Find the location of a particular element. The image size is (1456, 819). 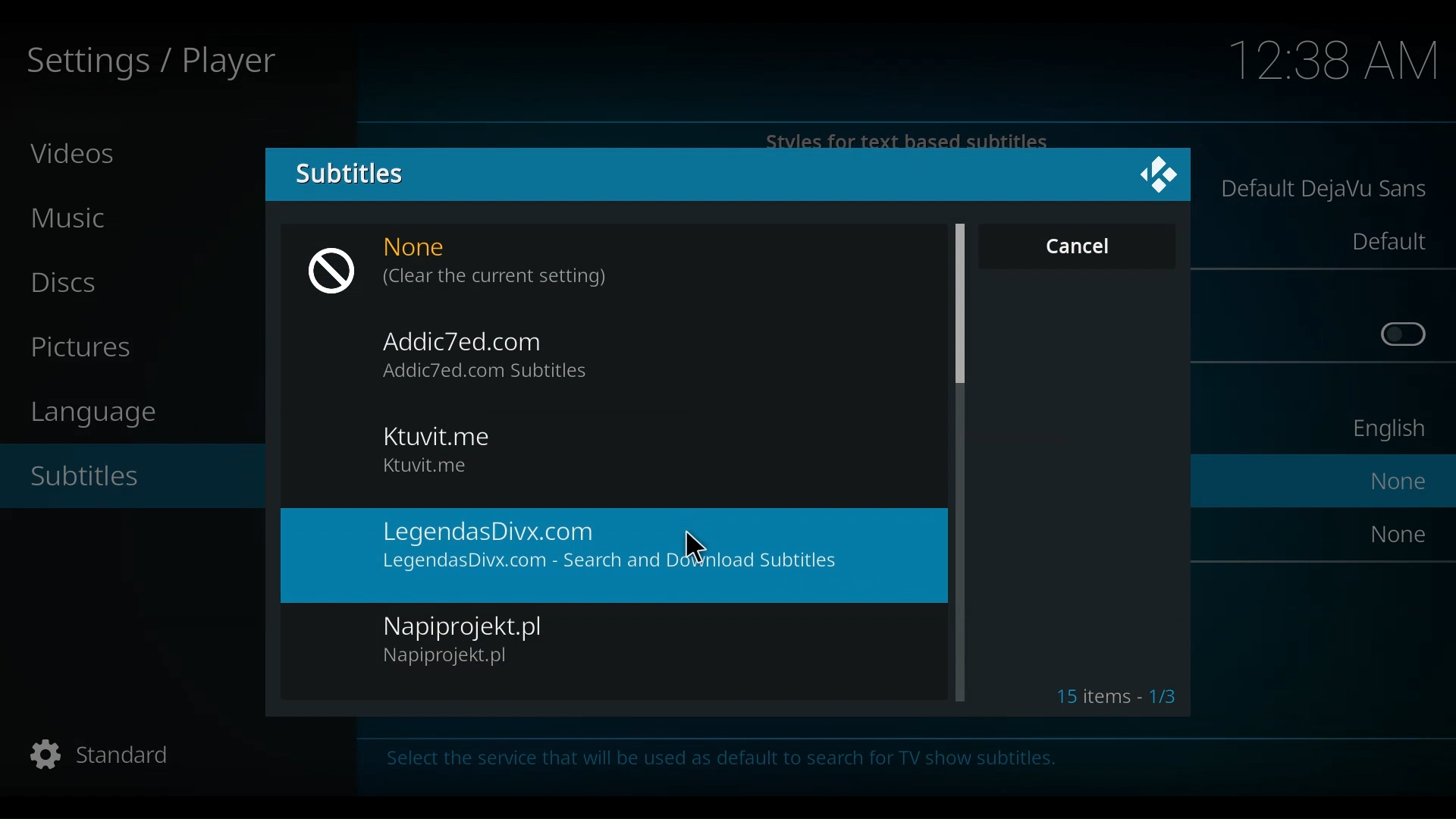

Select the service that will be used as default to search for TV show subtitles. is located at coordinates (753, 764).